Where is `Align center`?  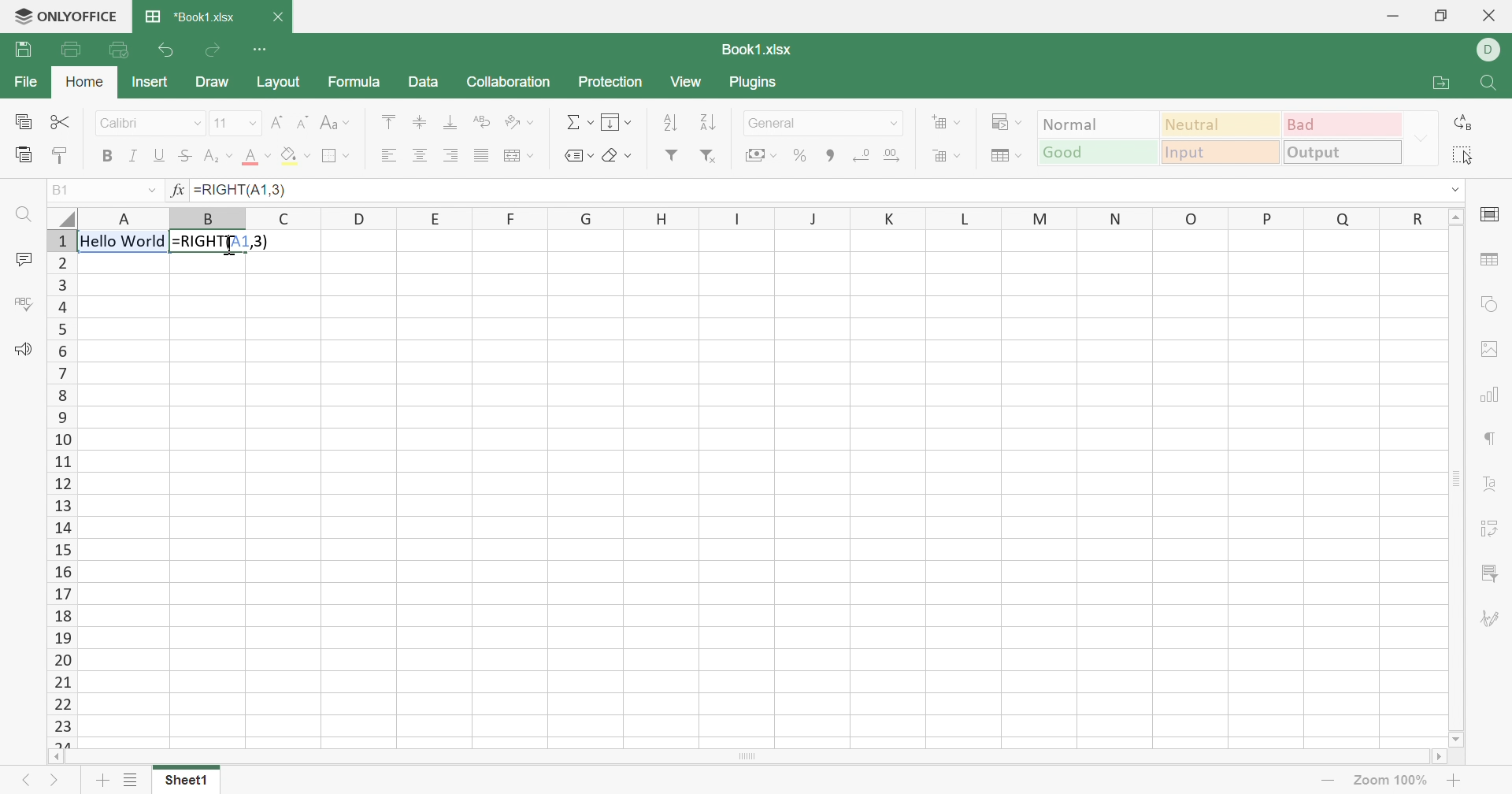
Align center is located at coordinates (420, 154).